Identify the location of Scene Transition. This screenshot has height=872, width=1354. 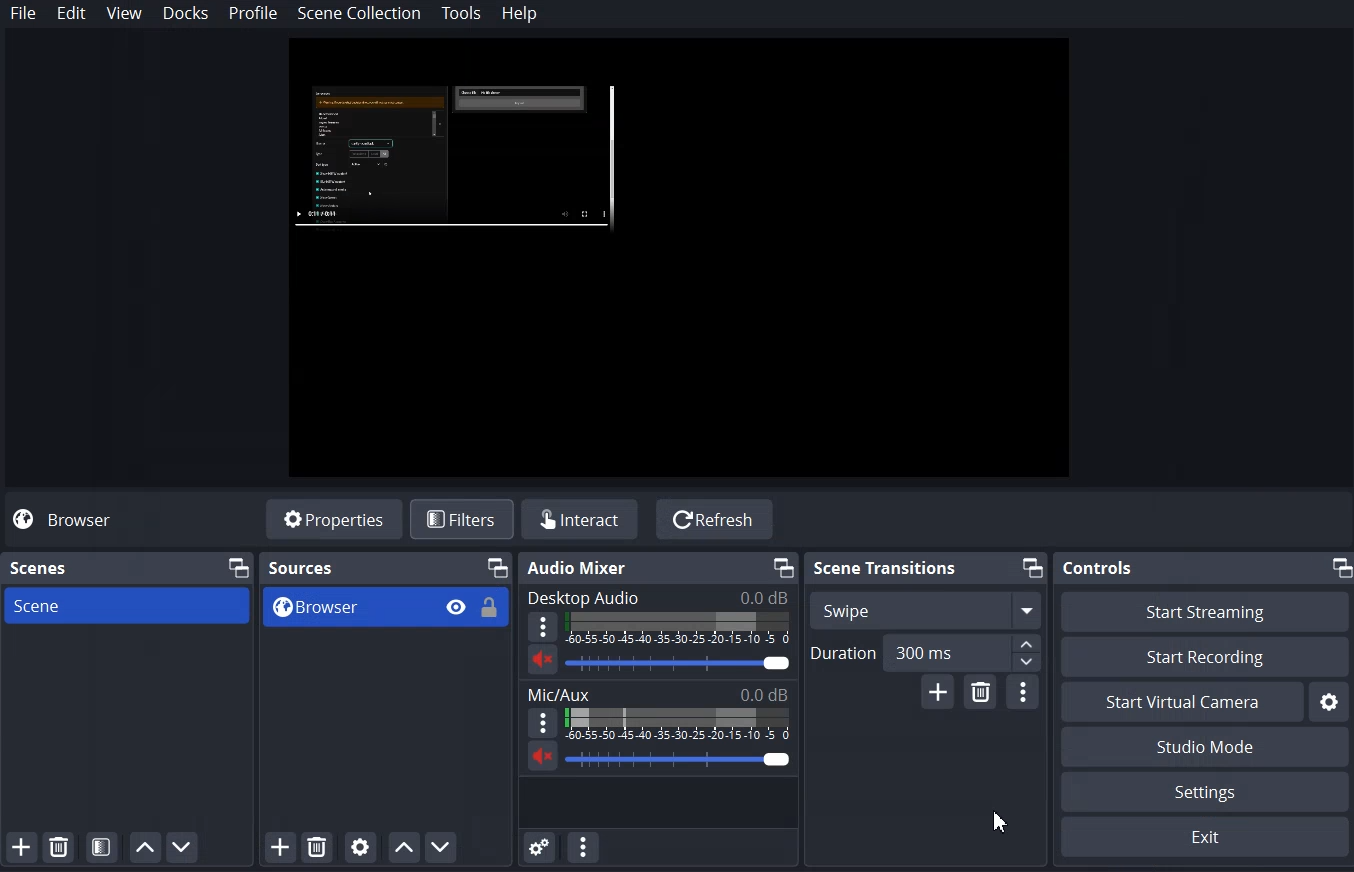
(884, 567).